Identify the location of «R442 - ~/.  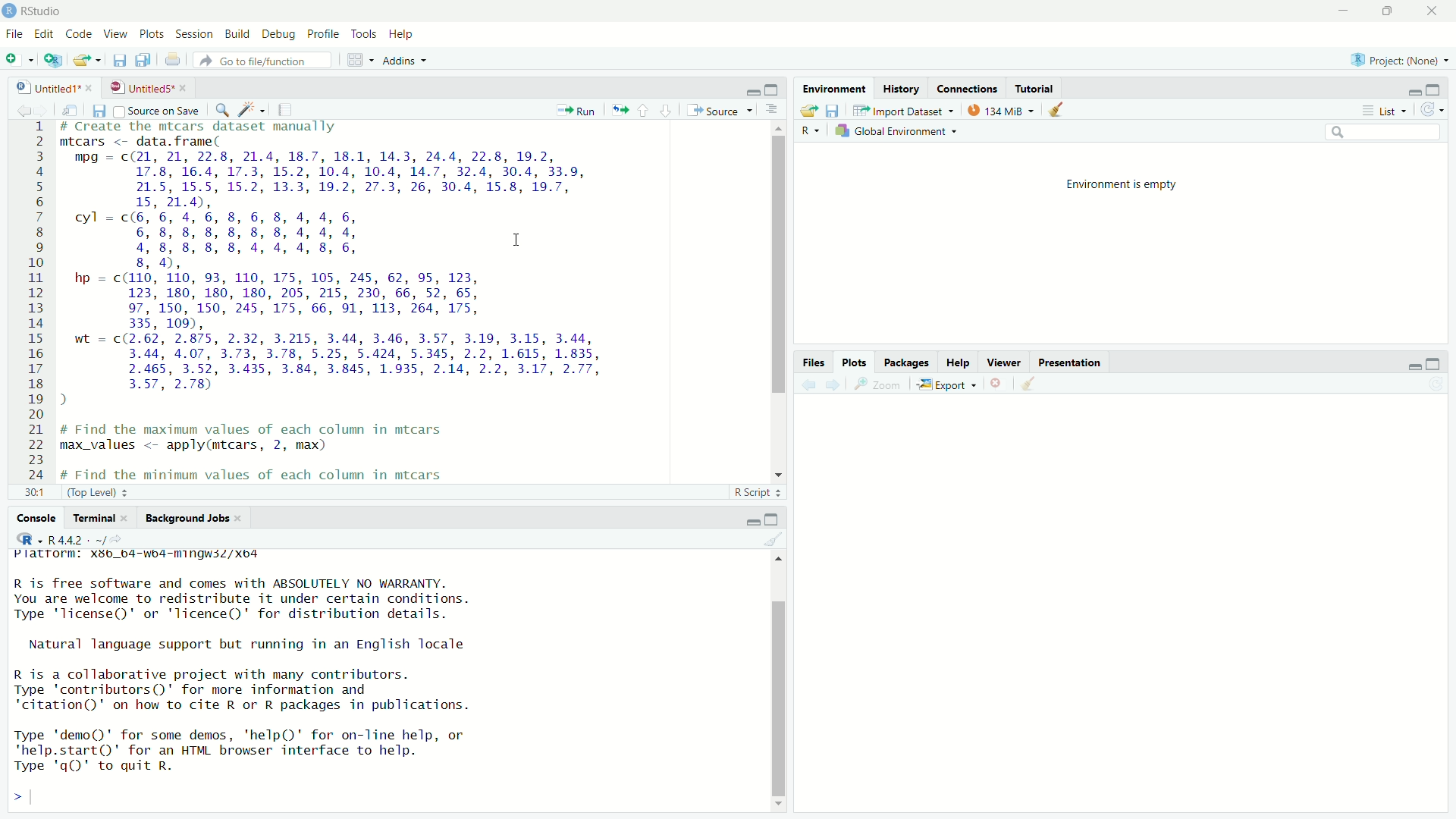
(67, 538).